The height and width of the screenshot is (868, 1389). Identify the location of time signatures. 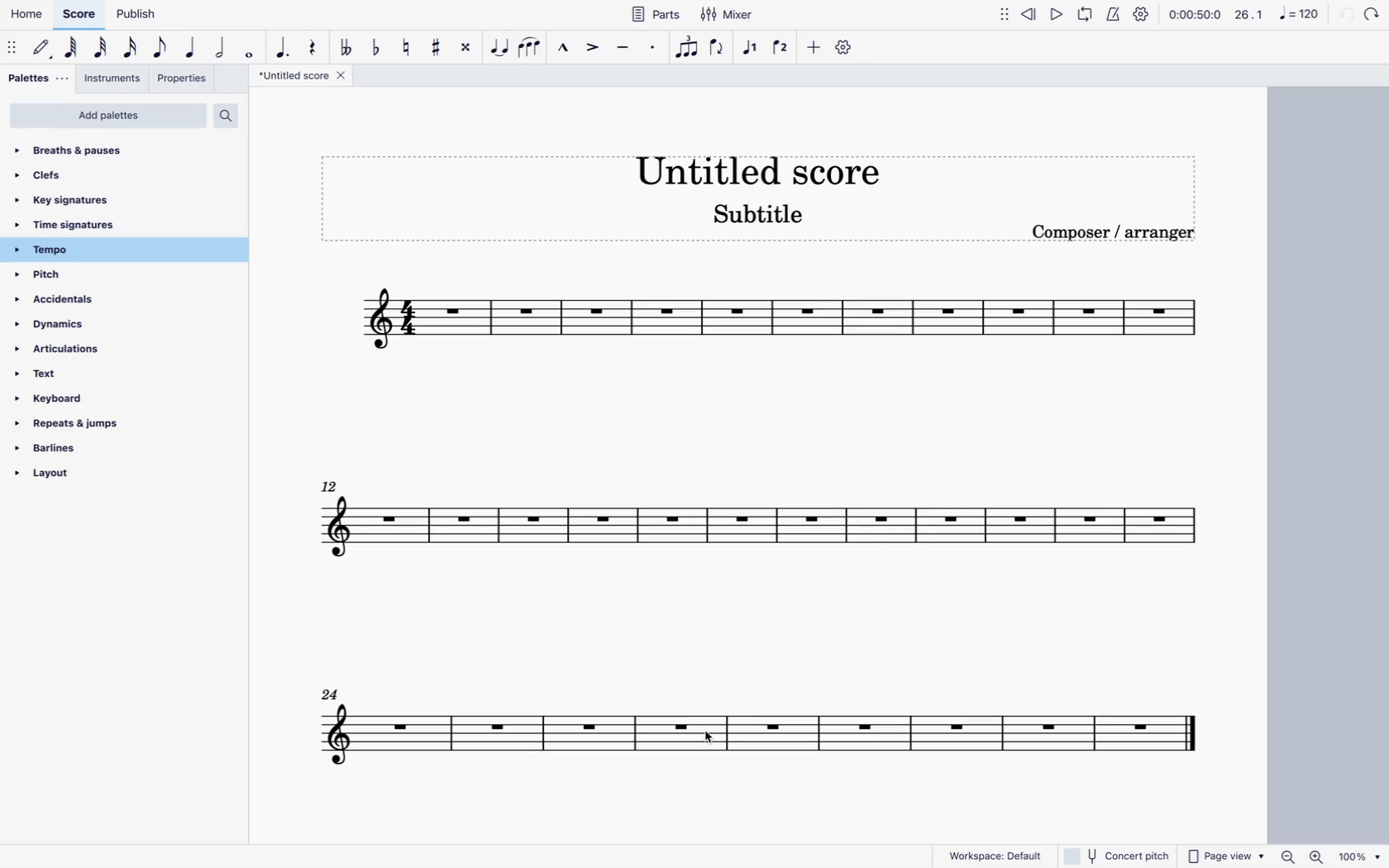
(76, 227).